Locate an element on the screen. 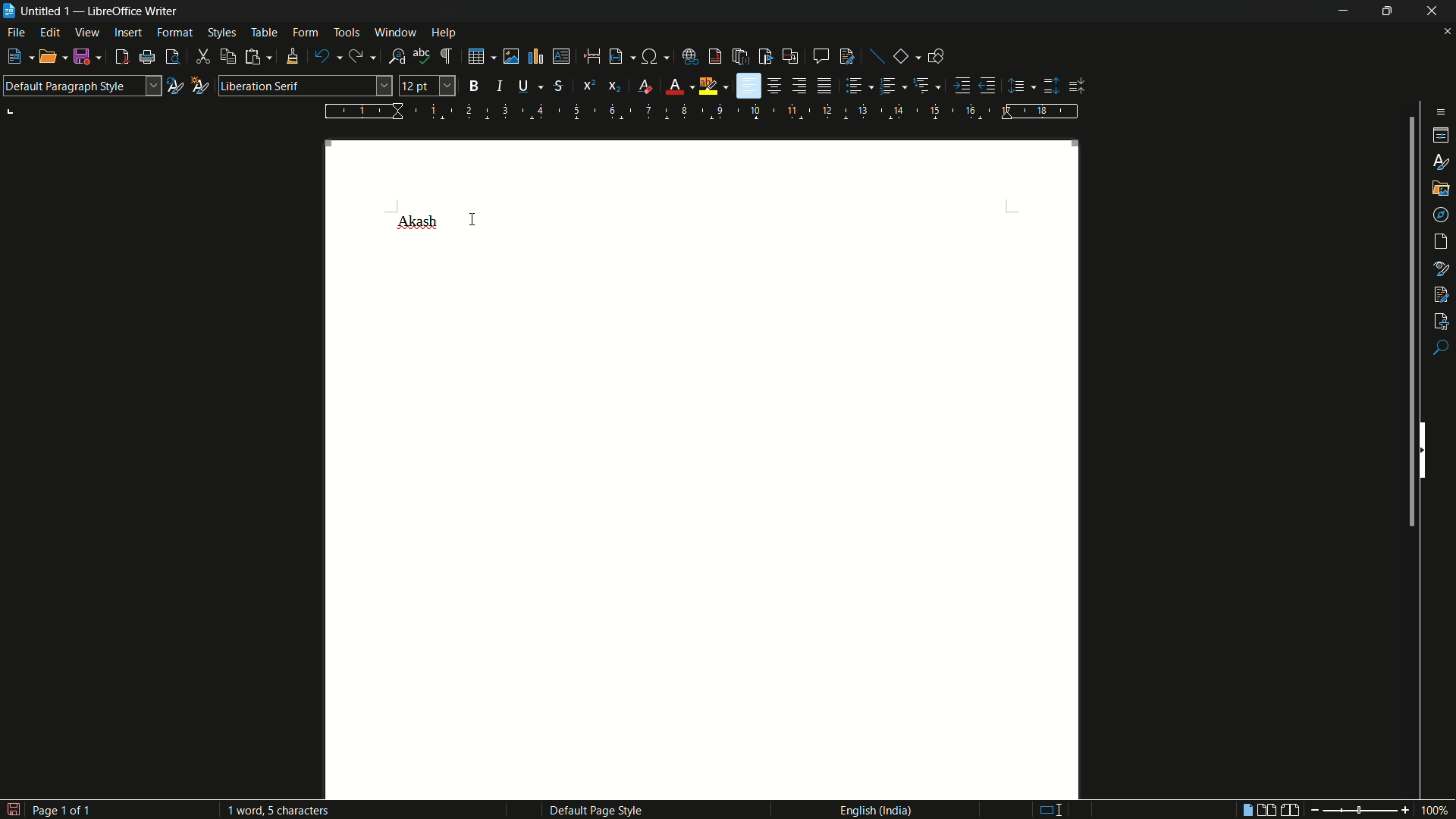  undo is located at coordinates (328, 56).